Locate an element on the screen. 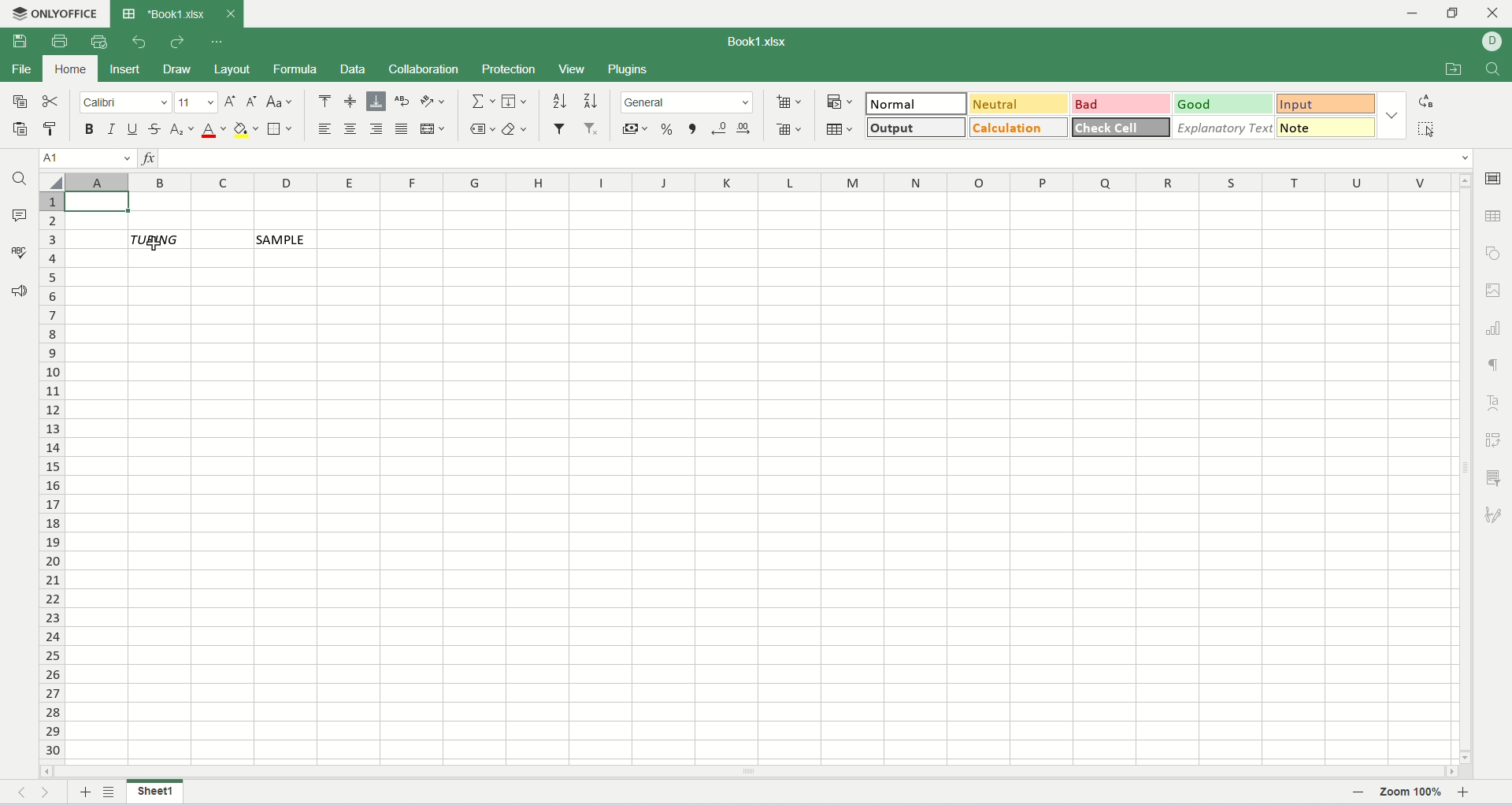 Image resolution: width=1512 pixels, height=805 pixels. new sheet is located at coordinates (86, 794).